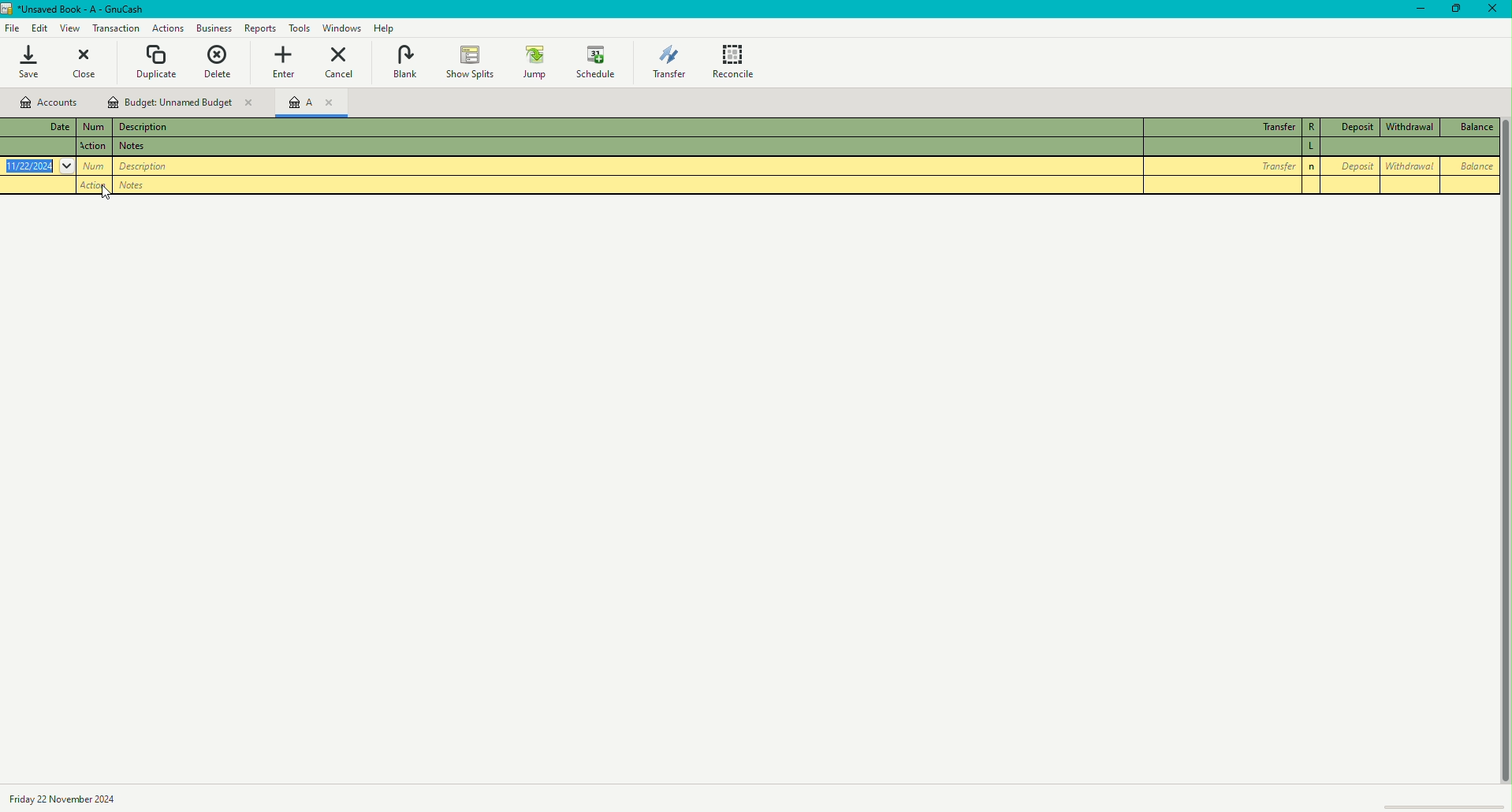 The width and height of the screenshot is (1512, 812). I want to click on Date, so click(45, 126).